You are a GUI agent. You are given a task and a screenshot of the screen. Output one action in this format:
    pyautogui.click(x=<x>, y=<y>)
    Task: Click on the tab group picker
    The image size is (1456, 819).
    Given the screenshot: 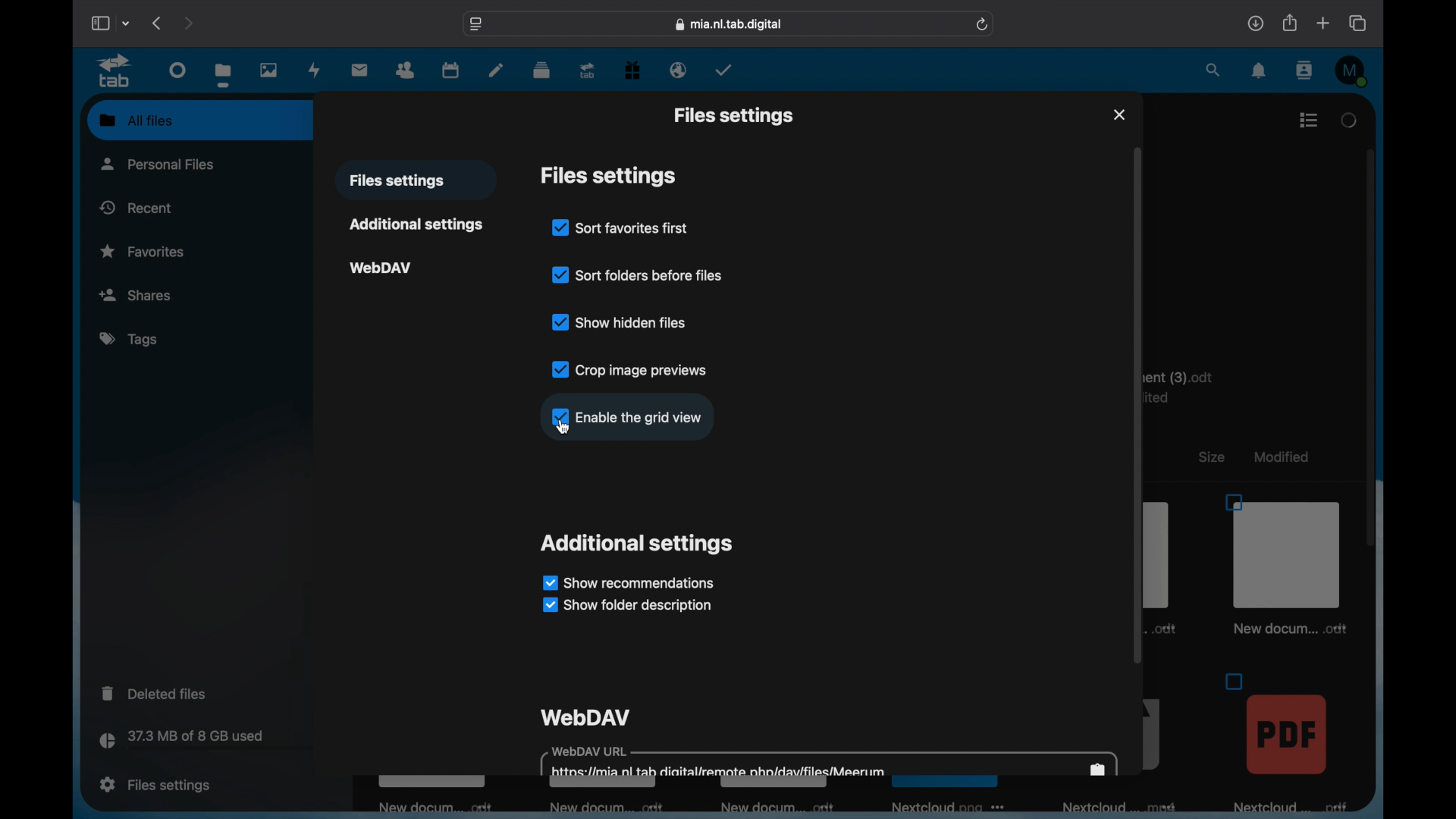 What is the action you would take?
    pyautogui.click(x=126, y=23)
    